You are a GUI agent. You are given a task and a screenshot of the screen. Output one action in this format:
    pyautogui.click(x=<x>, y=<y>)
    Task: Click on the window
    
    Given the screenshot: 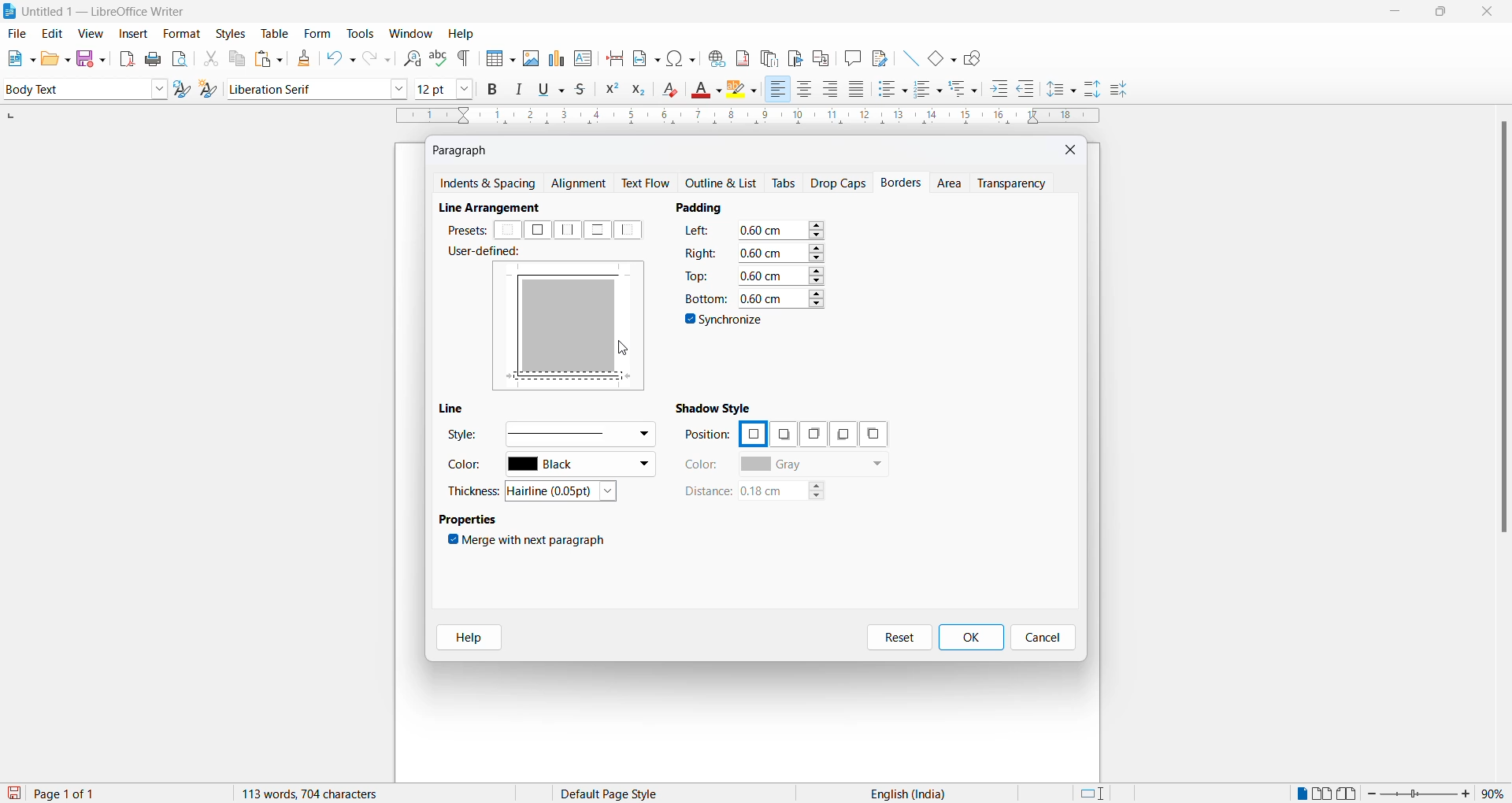 What is the action you would take?
    pyautogui.click(x=412, y=34)
    